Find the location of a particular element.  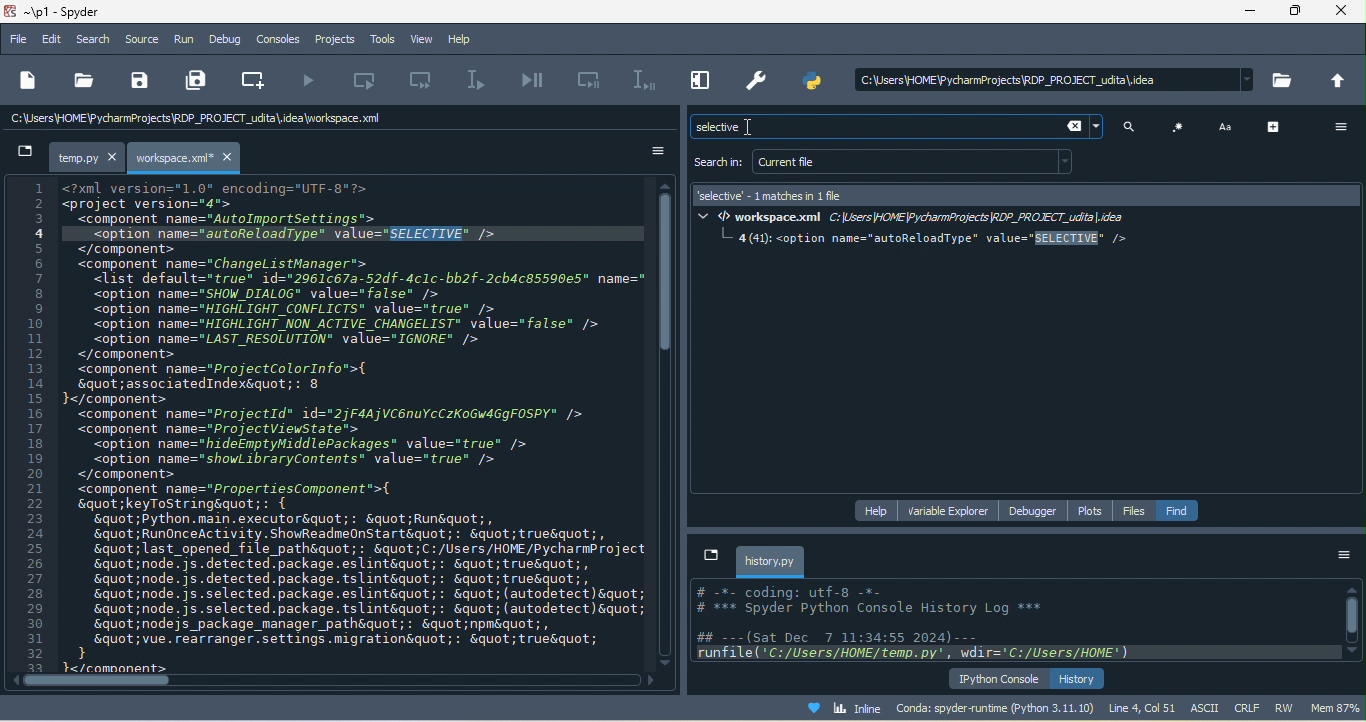

minimize is located at coordinates (1252, 13).